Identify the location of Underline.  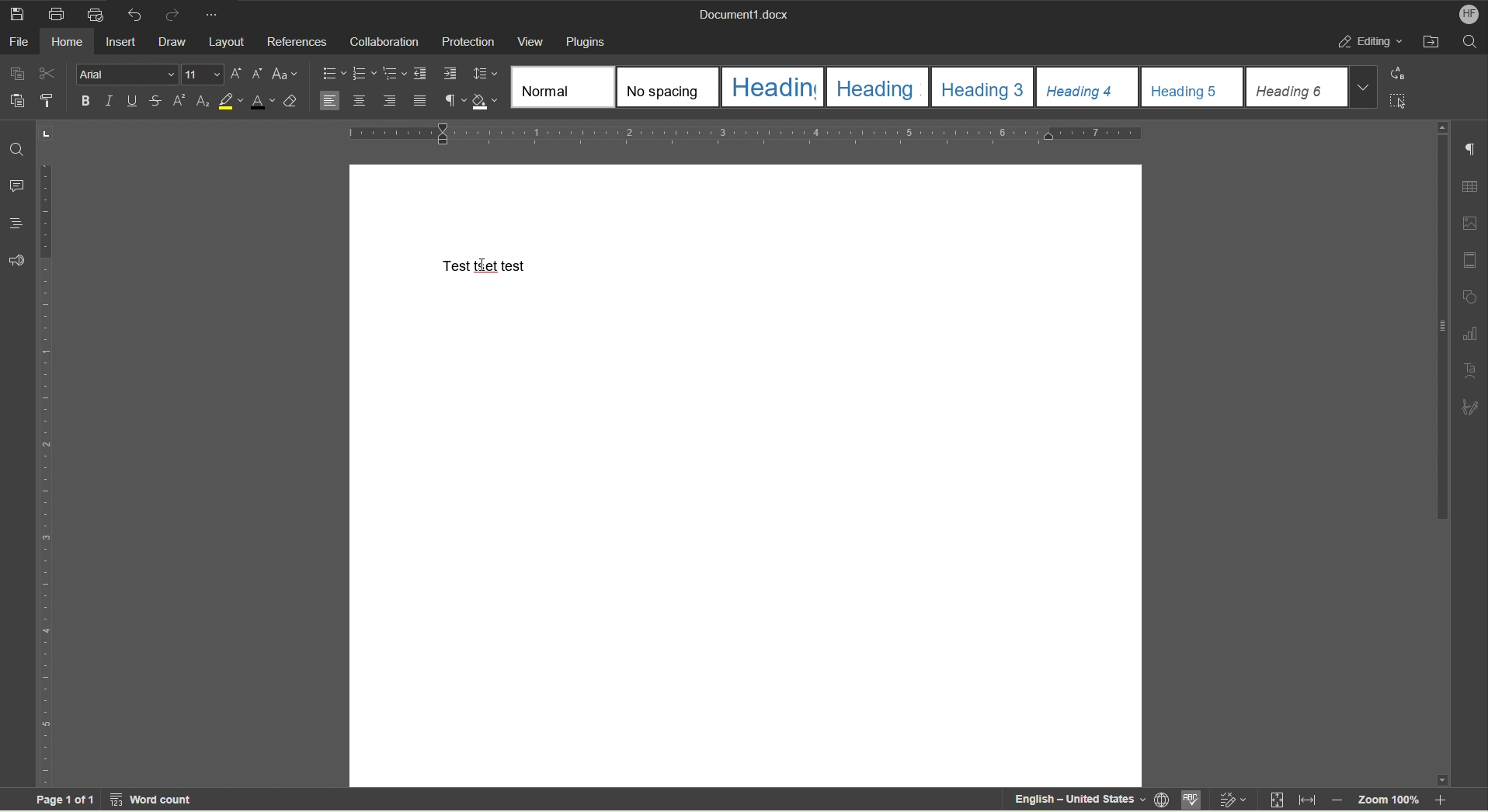
(135, 102).